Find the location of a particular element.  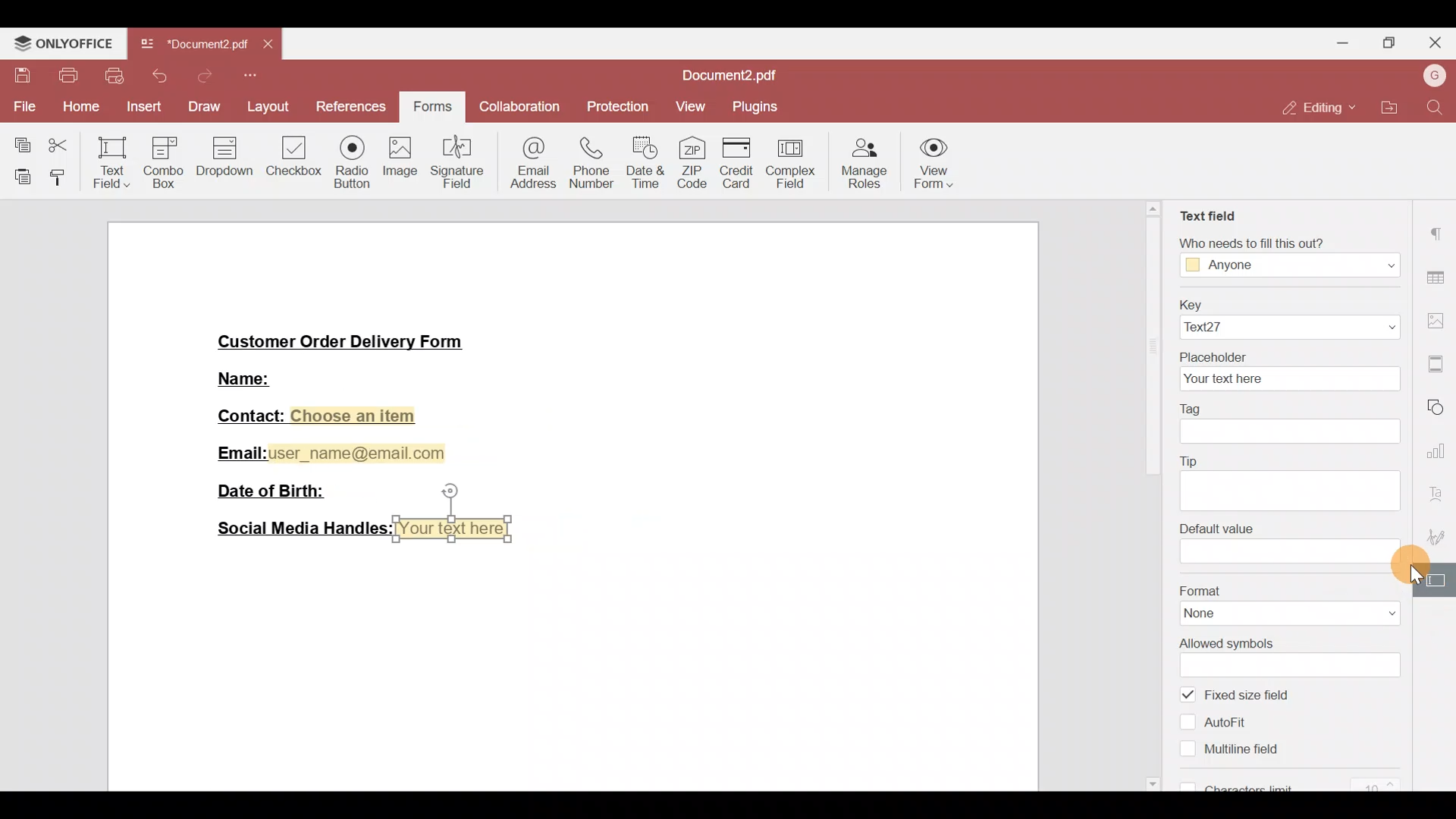

Default value is located at coordinates (1279, 544).